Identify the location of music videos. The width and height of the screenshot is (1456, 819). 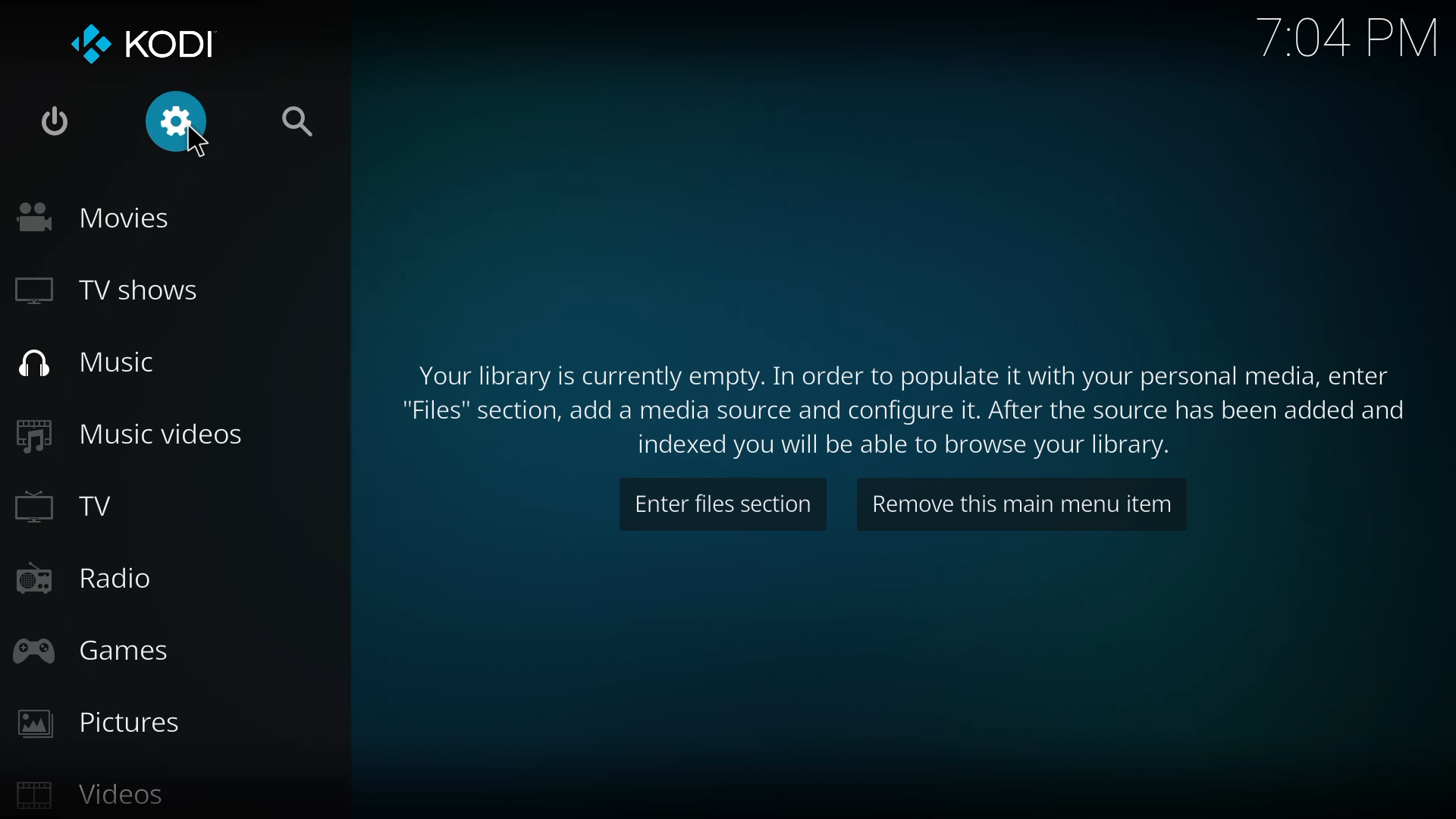
(132, 434).